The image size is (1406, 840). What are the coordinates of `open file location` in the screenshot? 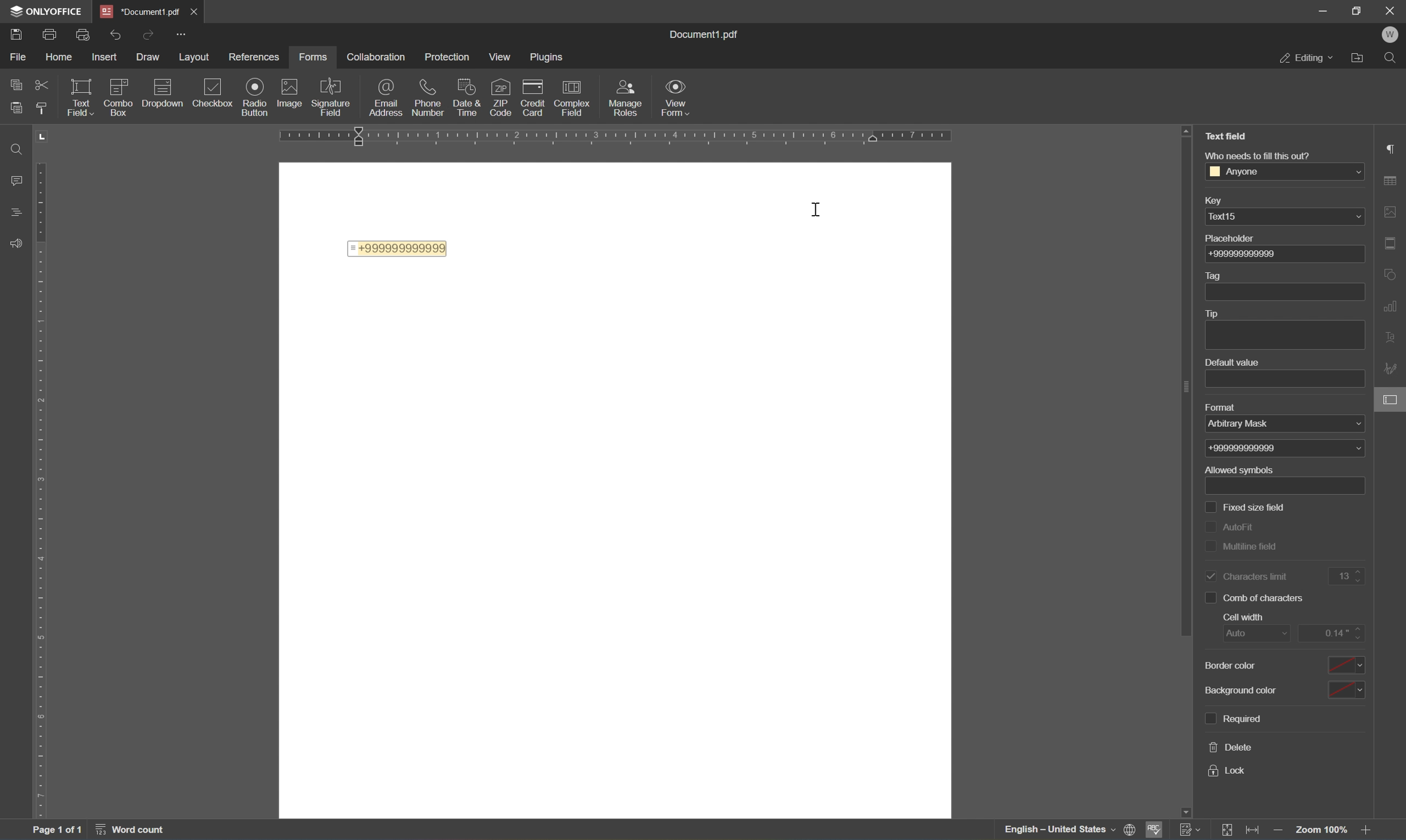 It's located at (1363, 56).